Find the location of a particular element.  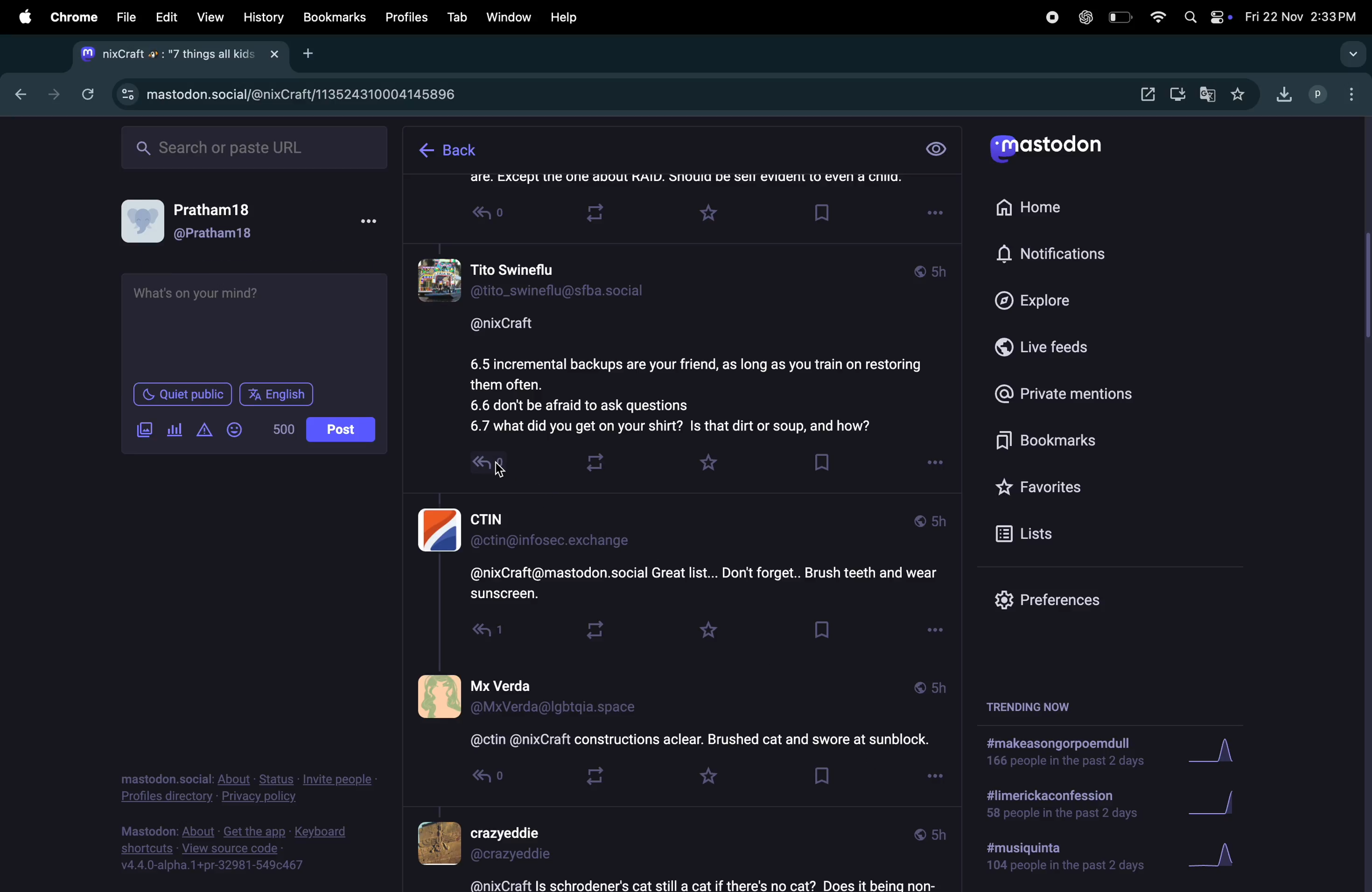

#musiquinta
104 people in the past 2 days is located at coordinates (1059, 860).